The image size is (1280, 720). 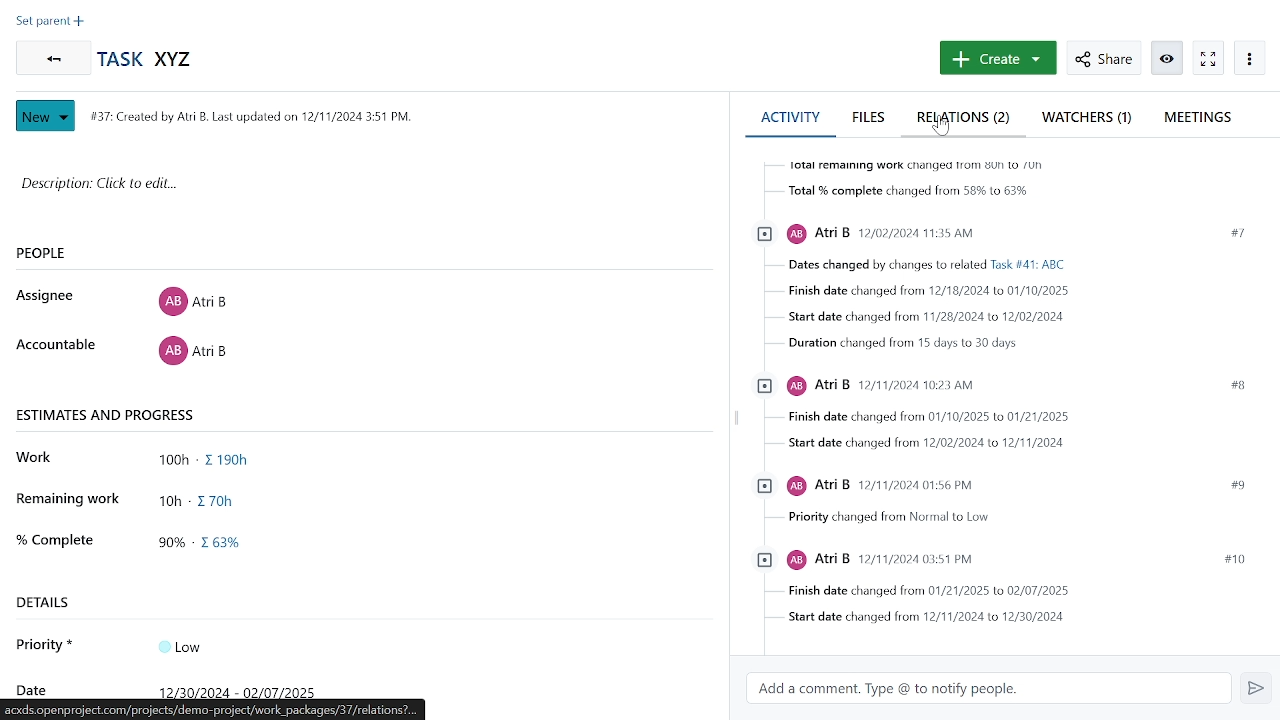 What do you see at coordinates (913, 619) in the screenshot?
I see `start date changed from 12/11/2024 to 1/30/2024` at bounding box center [913, 619].